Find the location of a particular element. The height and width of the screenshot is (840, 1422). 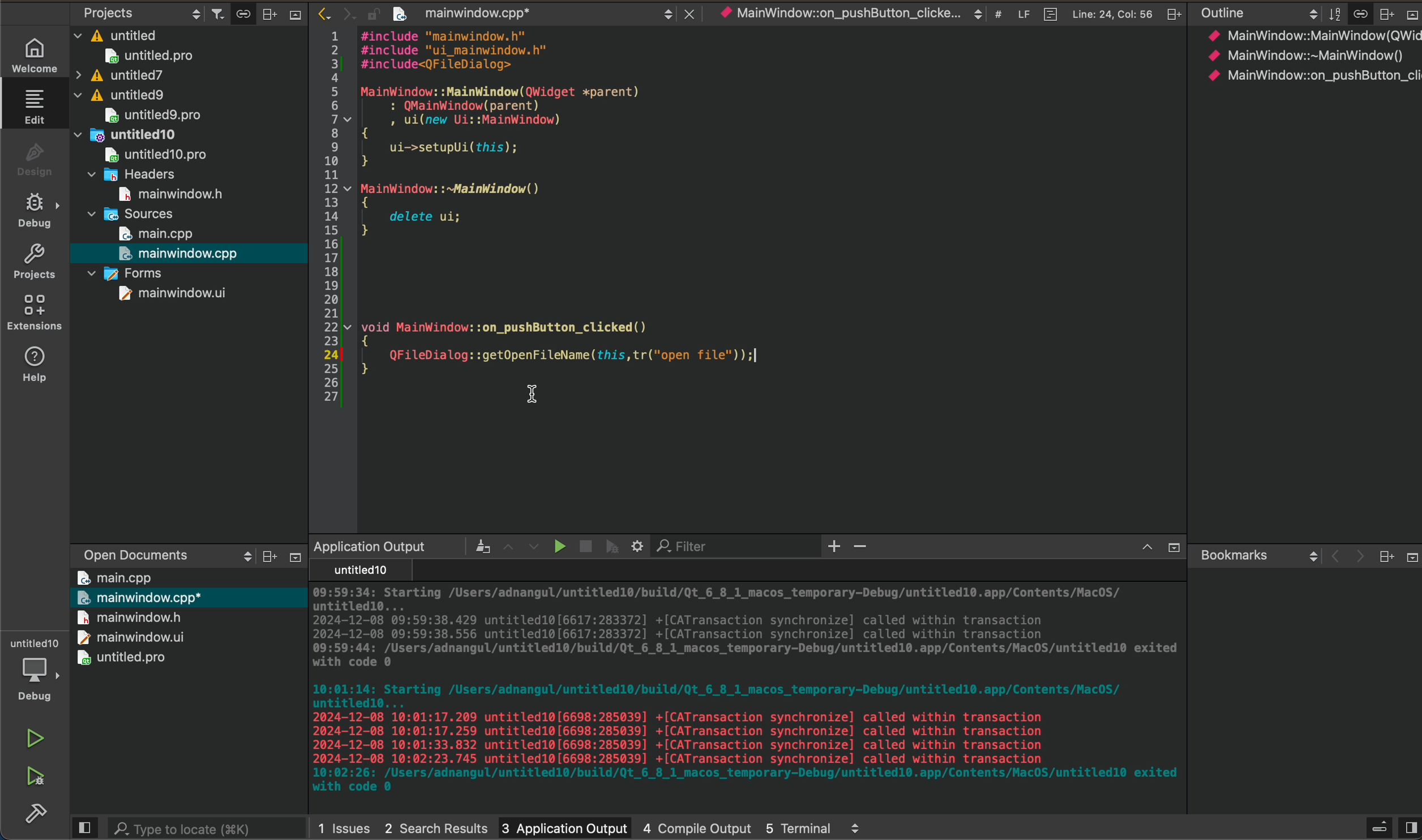

debug is located at coordinates (613, 546).